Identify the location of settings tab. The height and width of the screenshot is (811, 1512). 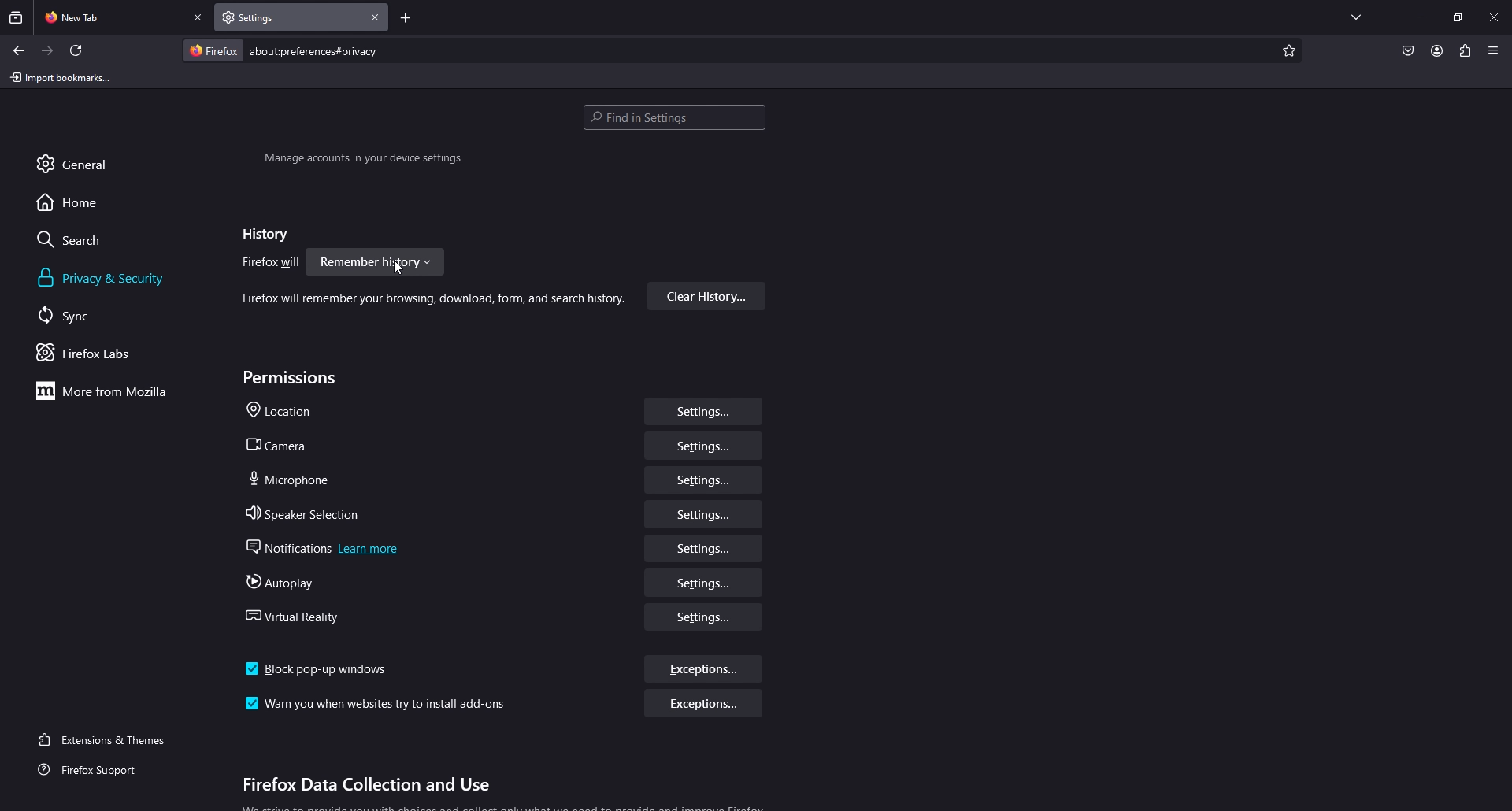
(269, 17).